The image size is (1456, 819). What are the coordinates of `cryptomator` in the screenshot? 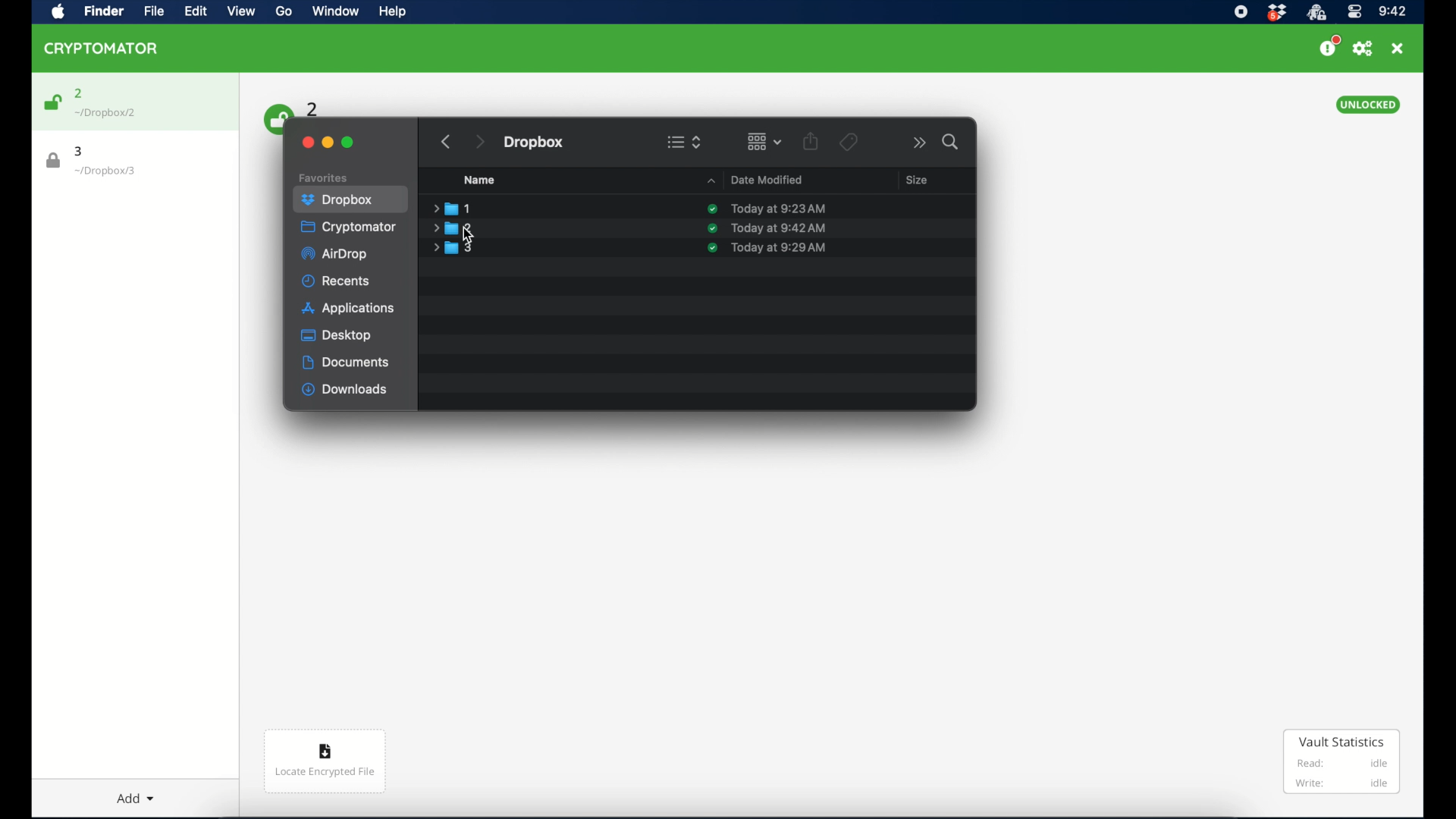 It's located at (102, 48).